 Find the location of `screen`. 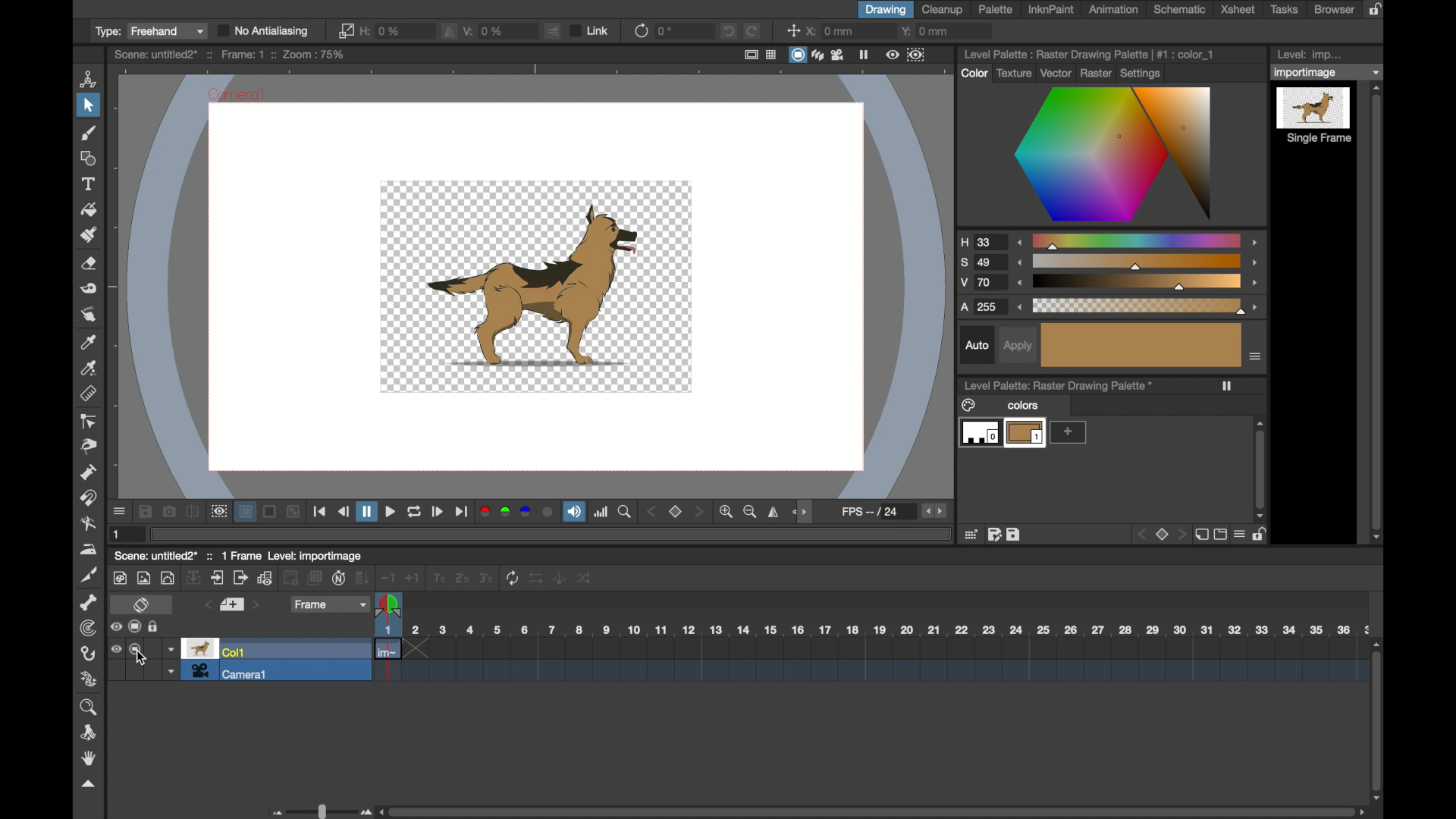

screen is located at coordinates (1219, 535).